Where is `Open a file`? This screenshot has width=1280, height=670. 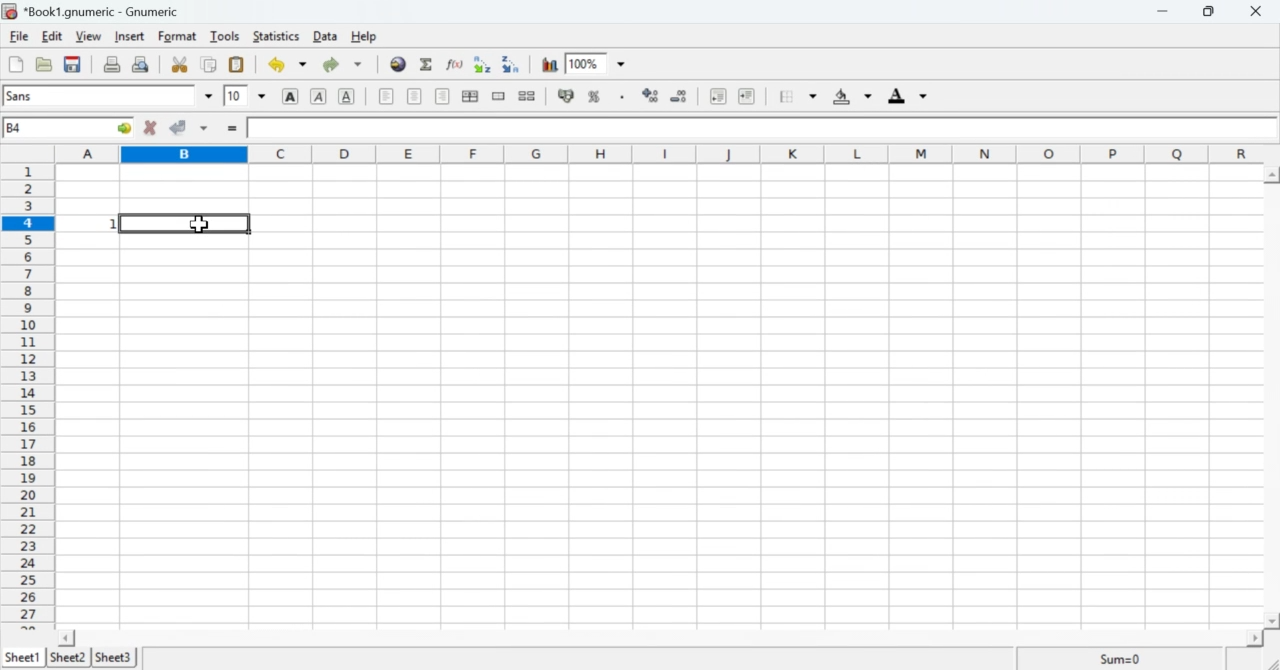 Open a file is located at coordinates (46, 65).